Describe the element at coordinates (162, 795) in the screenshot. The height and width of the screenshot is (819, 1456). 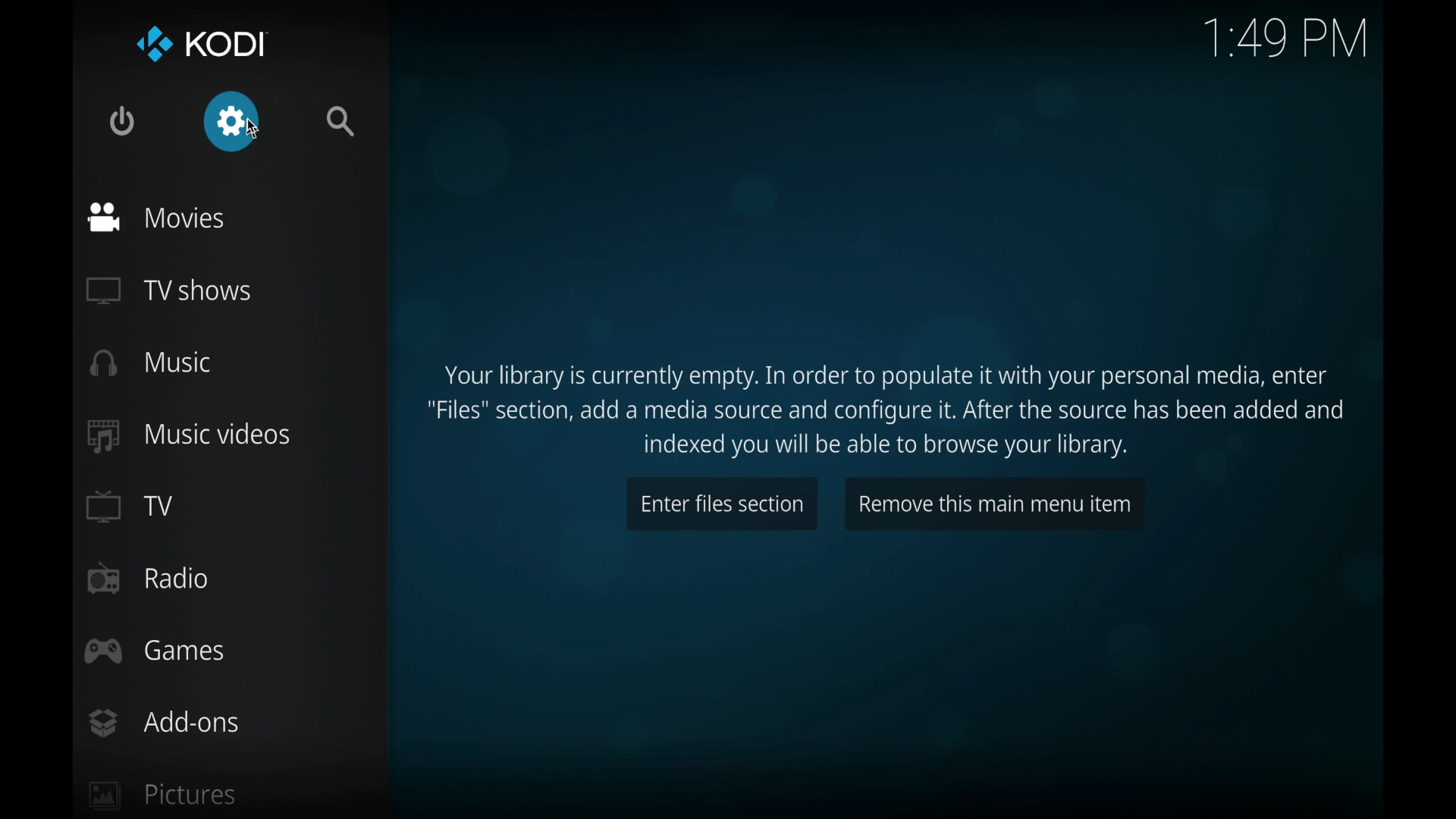
I see `pictures` at that location.